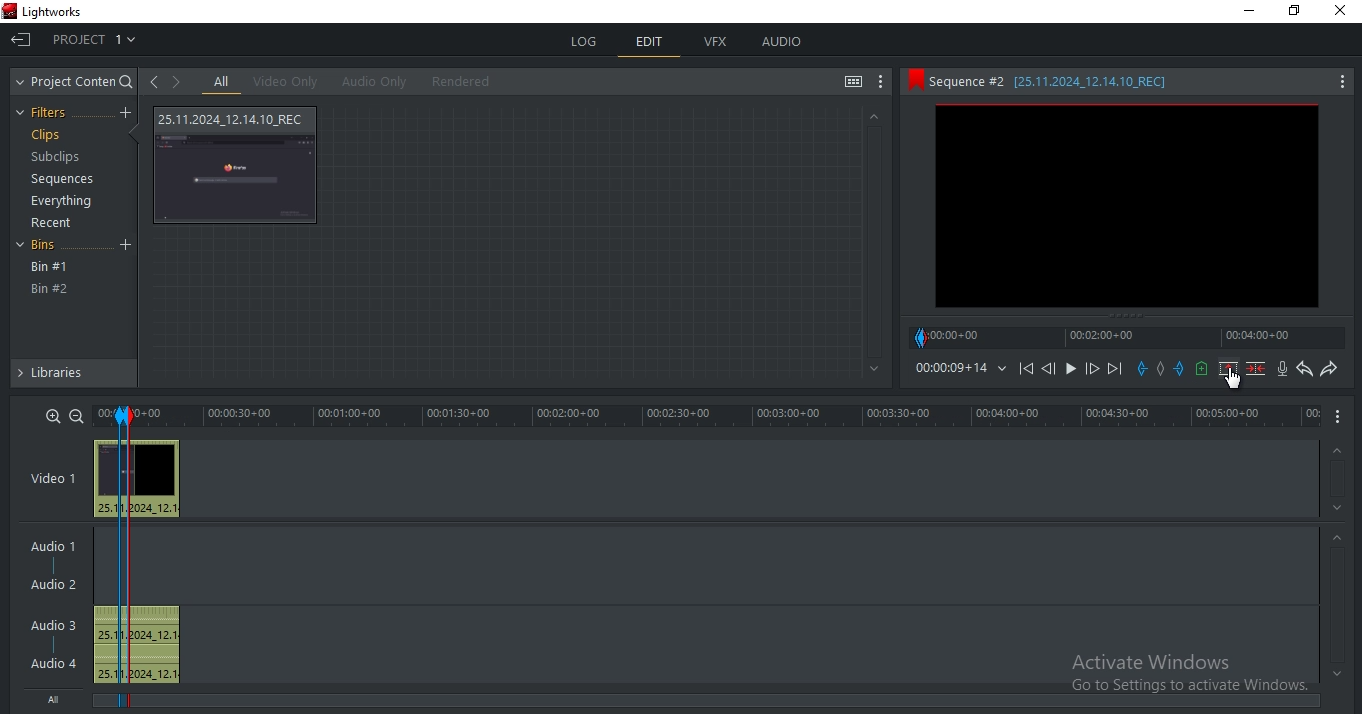 The image size is (1362, 714). I want to click on timeline, so click(1130, 337).